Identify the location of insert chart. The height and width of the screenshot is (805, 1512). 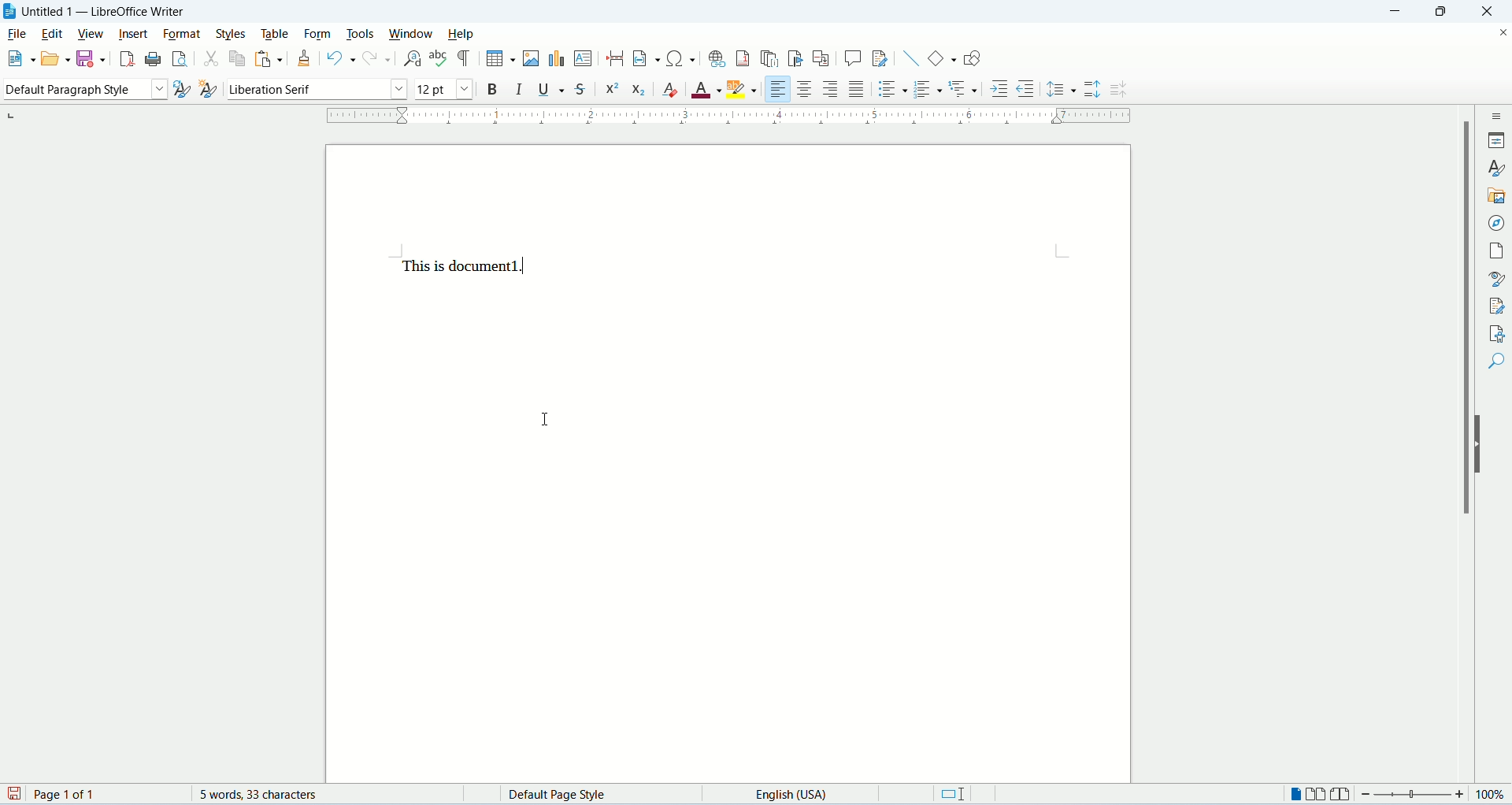
(556, 58).